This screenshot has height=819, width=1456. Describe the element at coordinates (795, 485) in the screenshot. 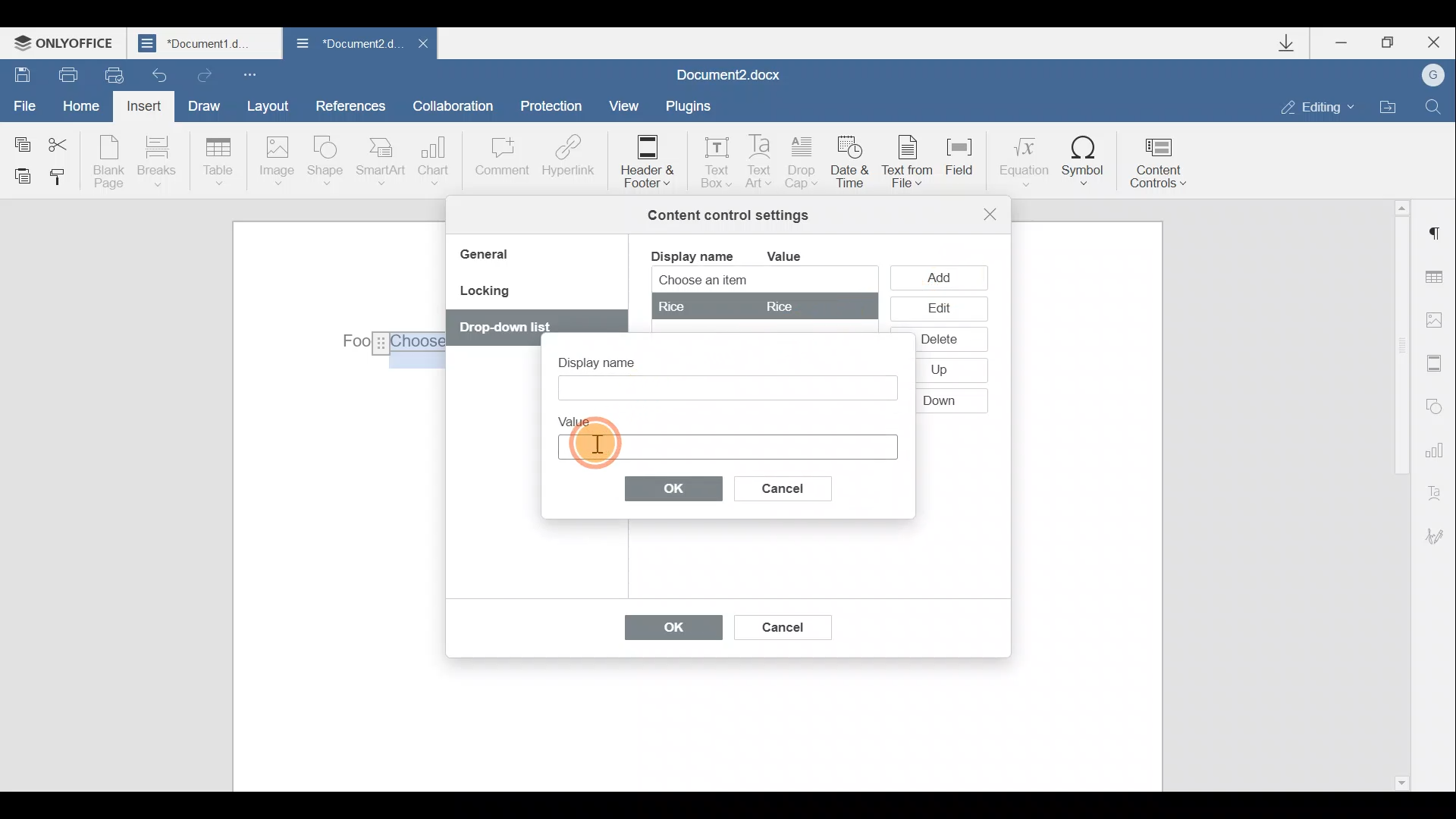

I see `Cancel` at that location.